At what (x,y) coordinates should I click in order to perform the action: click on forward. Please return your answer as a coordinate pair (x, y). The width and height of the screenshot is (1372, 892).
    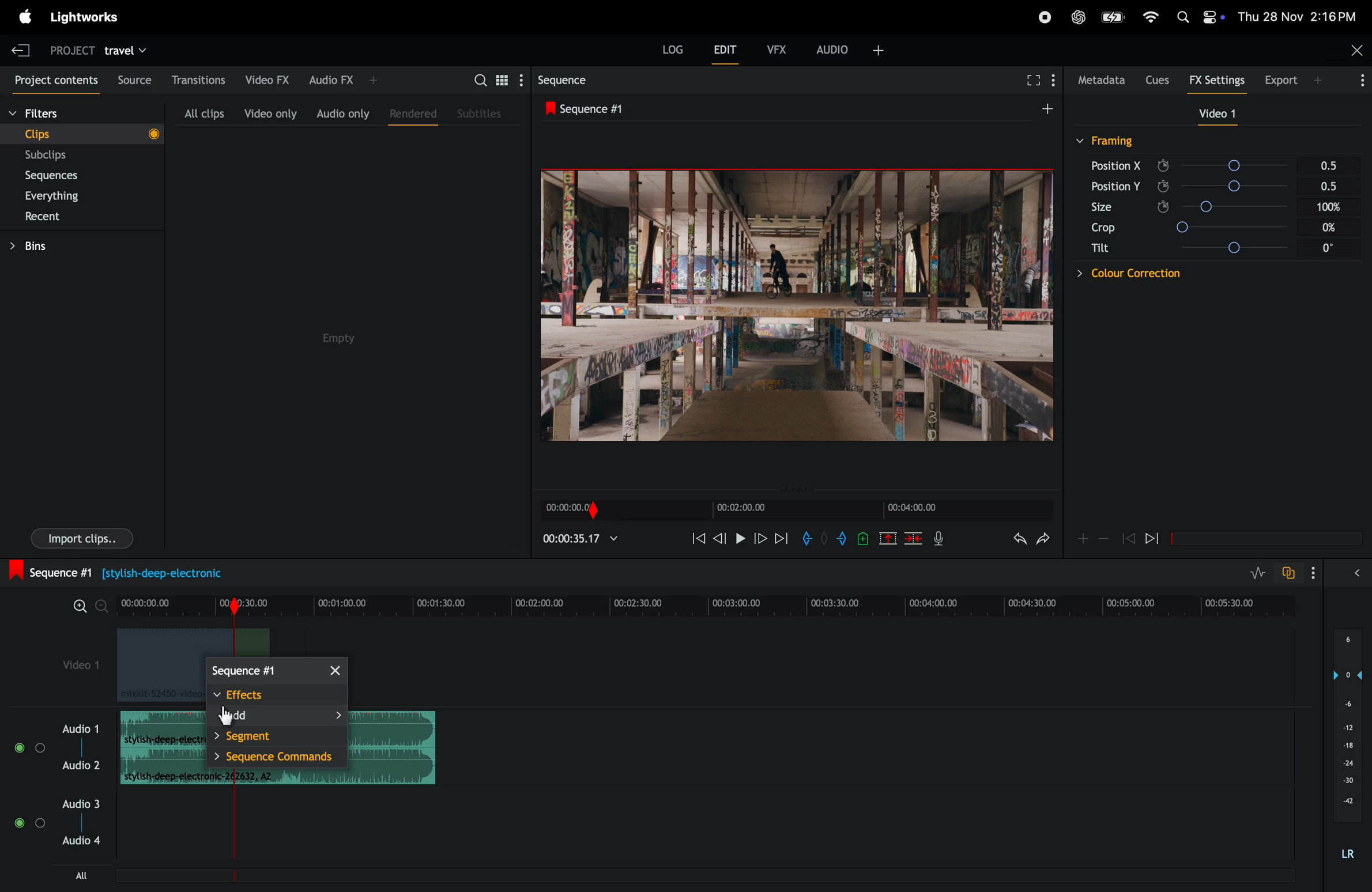
    Looking at the image, I should click on (781, 538).